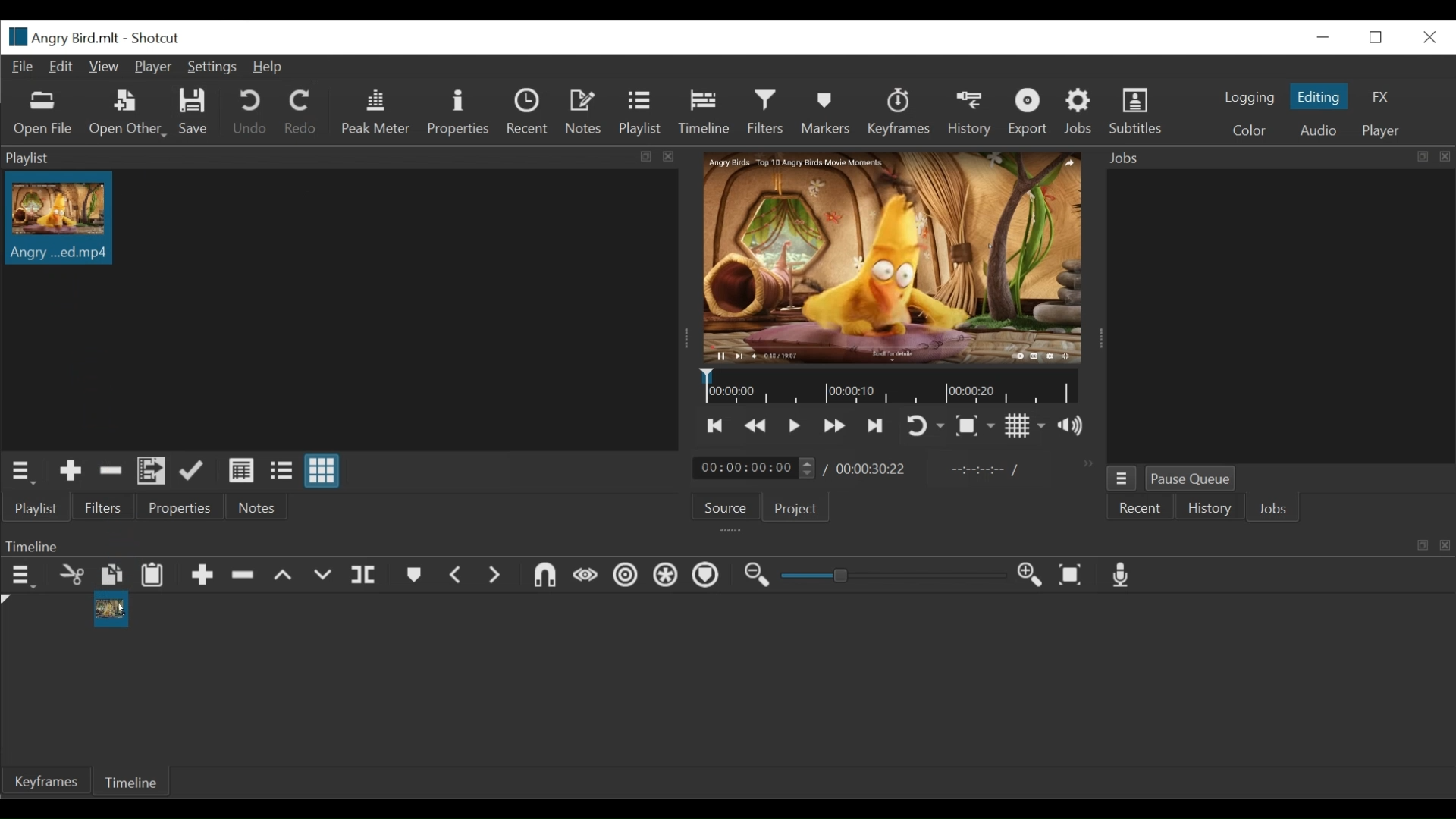 The width and height of the screenshot is (1456, 819). Describe the element at coordinates (642, 113) in the screenshot. I see `Playlist` at that location.